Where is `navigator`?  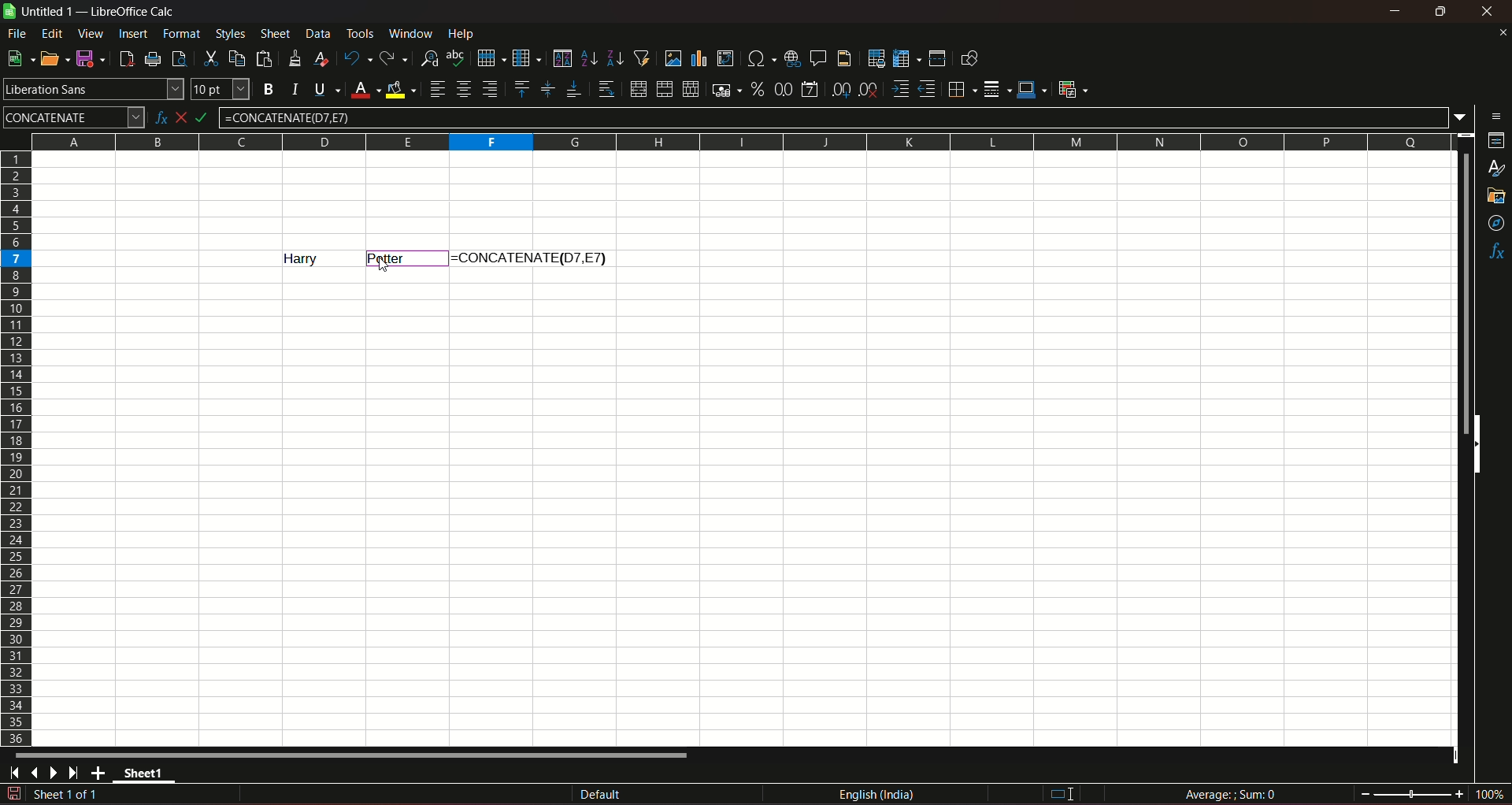
navigator is located at coordinates (1497, 224).